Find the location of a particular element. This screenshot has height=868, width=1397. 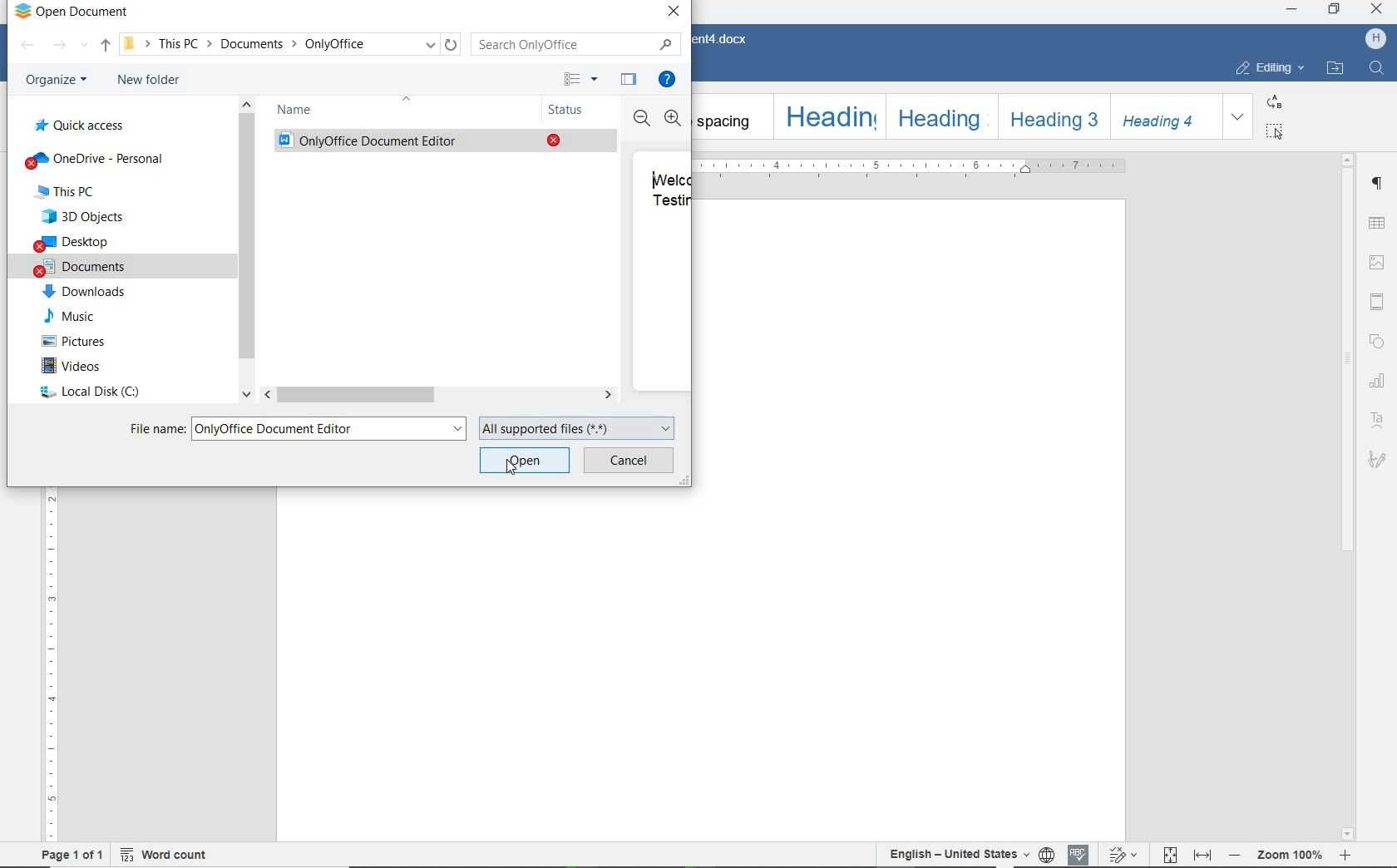

ruler is located at coordinates (51, 668).